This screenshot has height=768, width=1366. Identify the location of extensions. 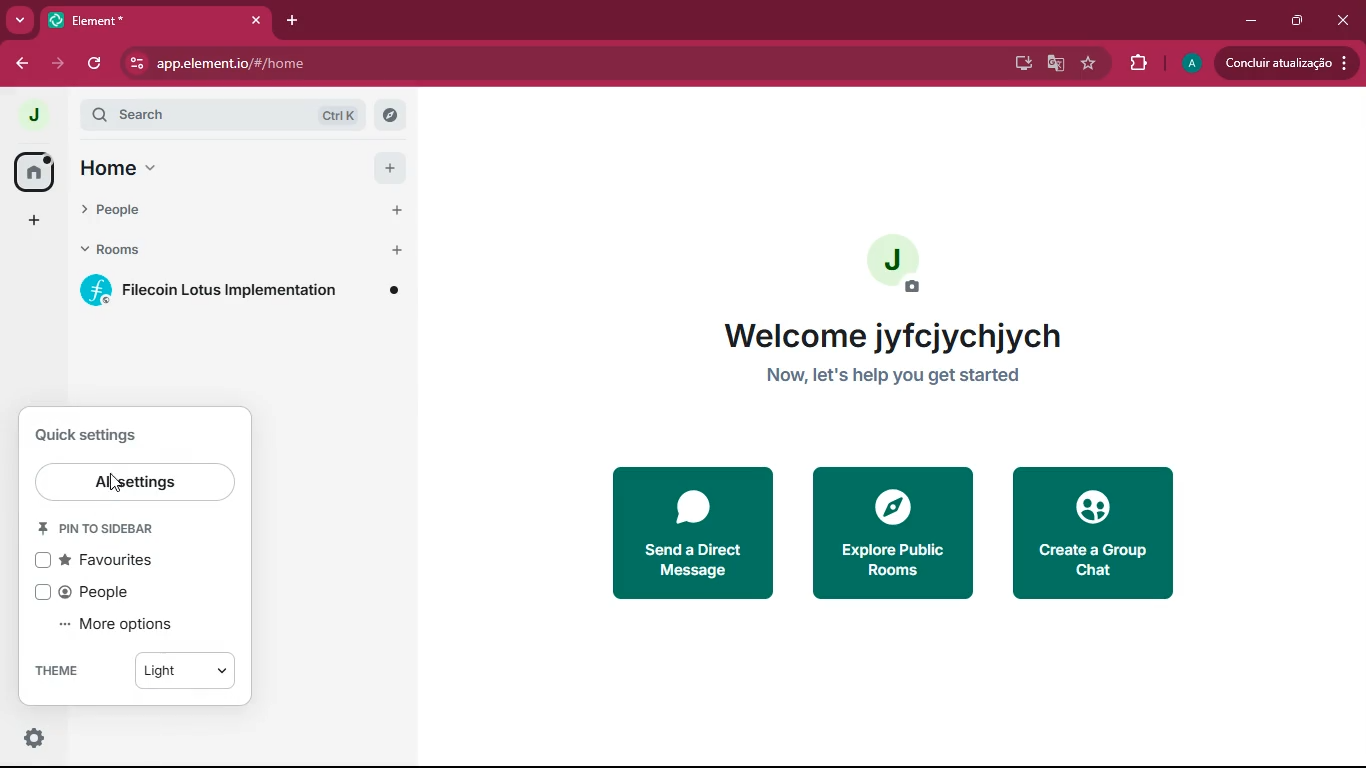
(1137, 61).